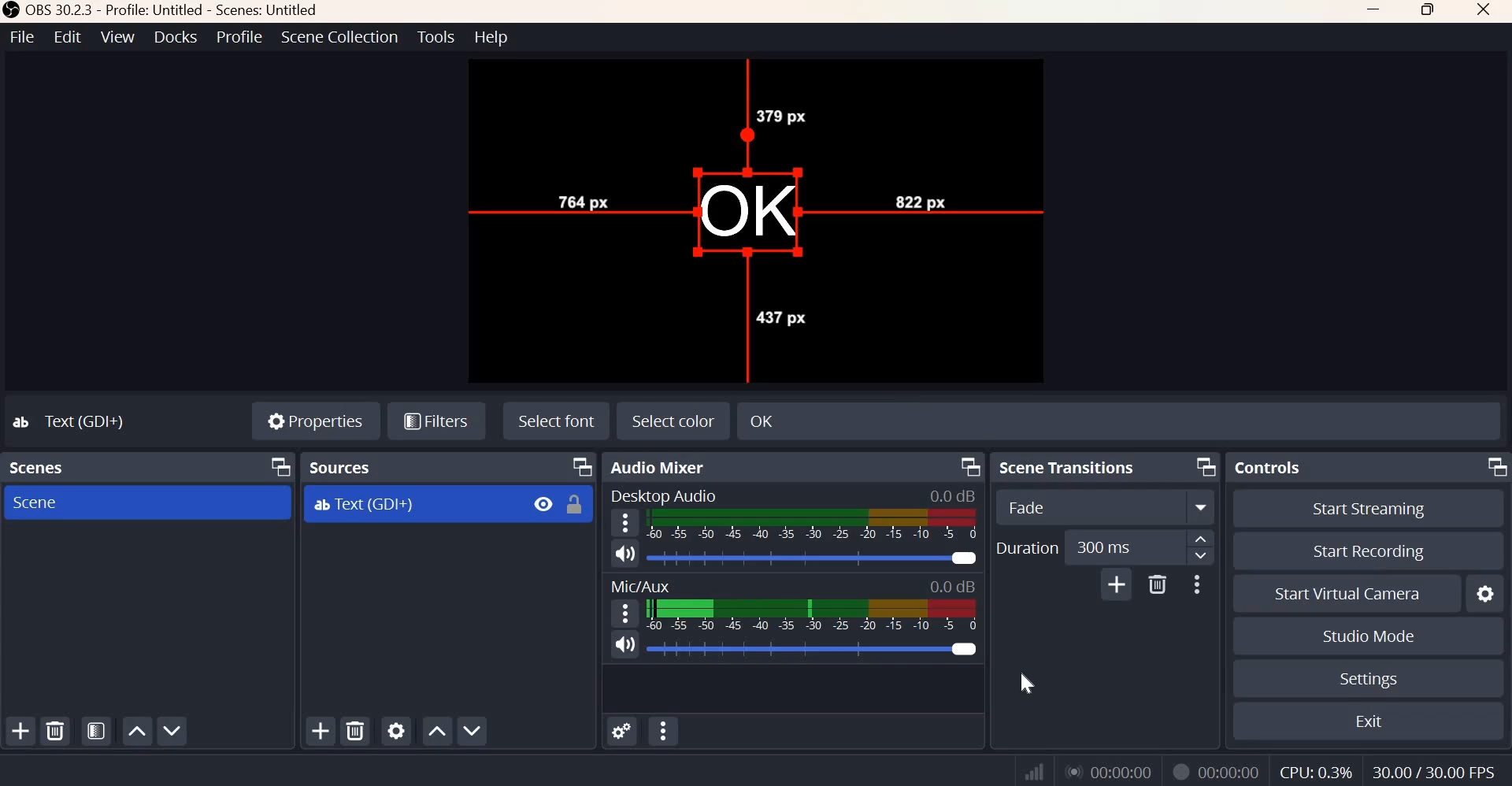 Image resolution: width=1512 pixels, height=786 pixels. What do you see at coordinates (1369, 636) in the screenshot?
I see `Studio mode` at bounding box center [1369, 636].